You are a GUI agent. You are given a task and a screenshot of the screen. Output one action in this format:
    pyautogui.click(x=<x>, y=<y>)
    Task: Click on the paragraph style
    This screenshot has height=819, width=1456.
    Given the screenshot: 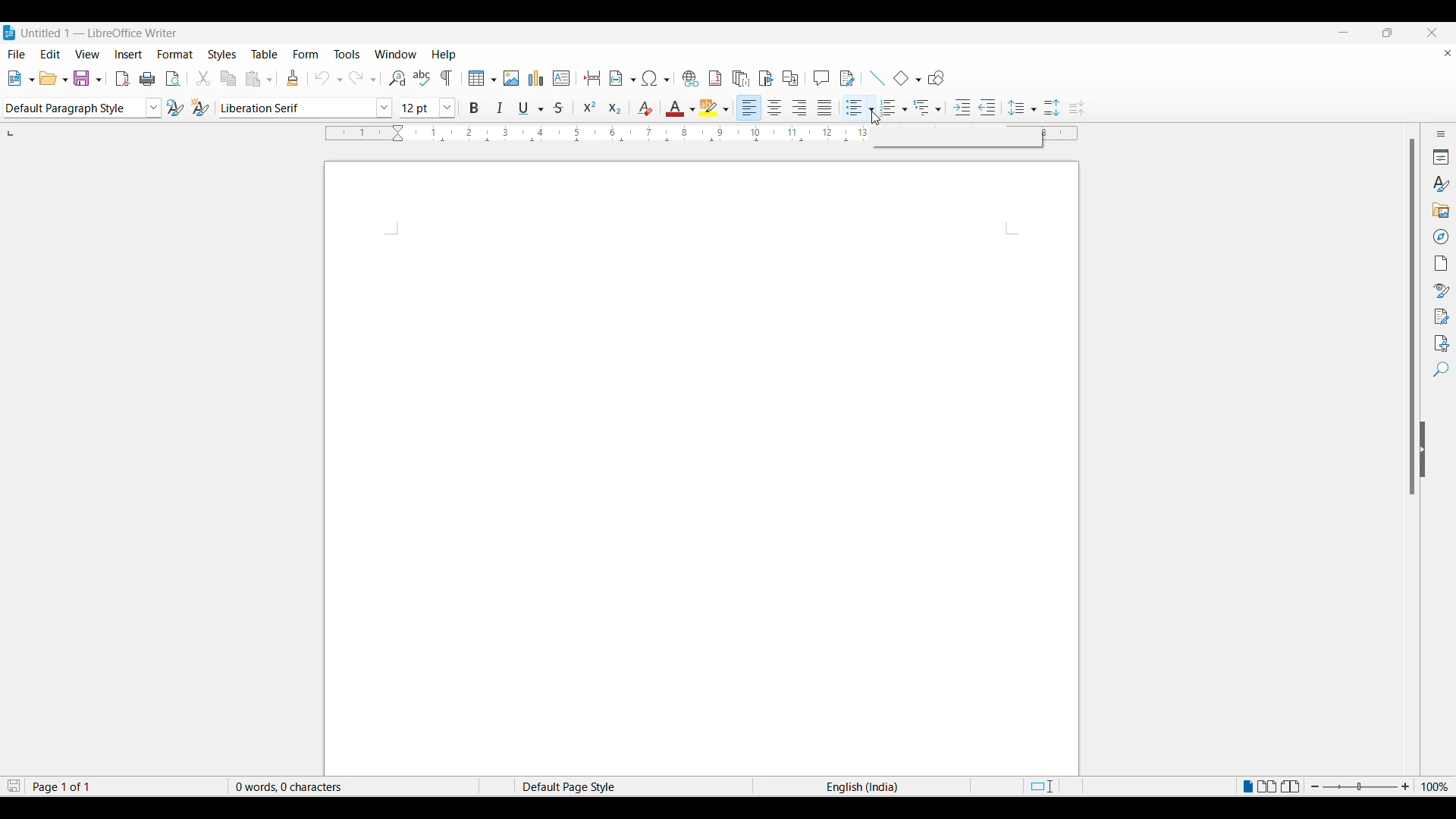 What is the action you would take?
    pyautogui.click(x=80, y=109)
    